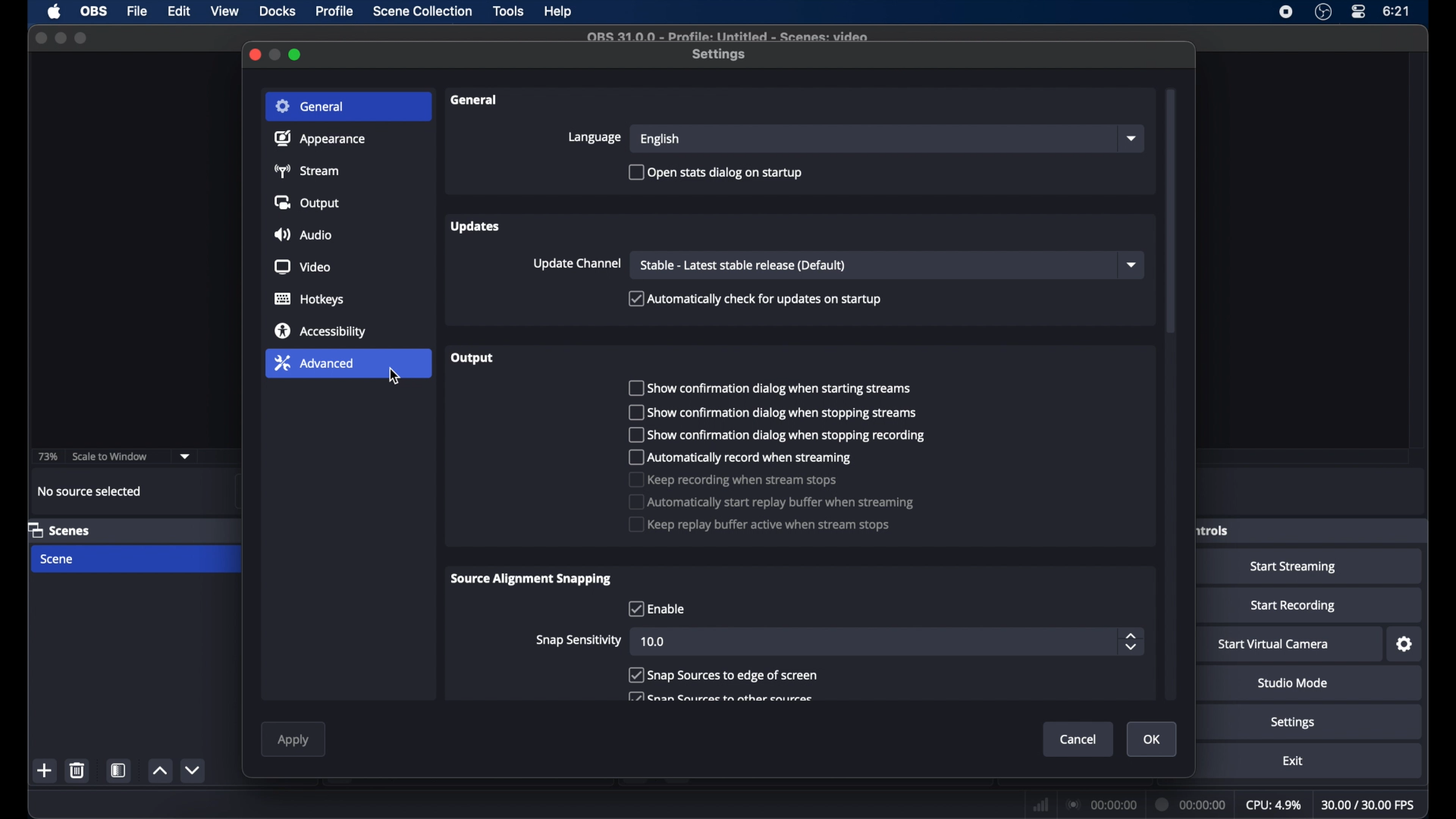 The width and height of the screenshot is (1456, 819). I want to click on updates, so click(477, 227).